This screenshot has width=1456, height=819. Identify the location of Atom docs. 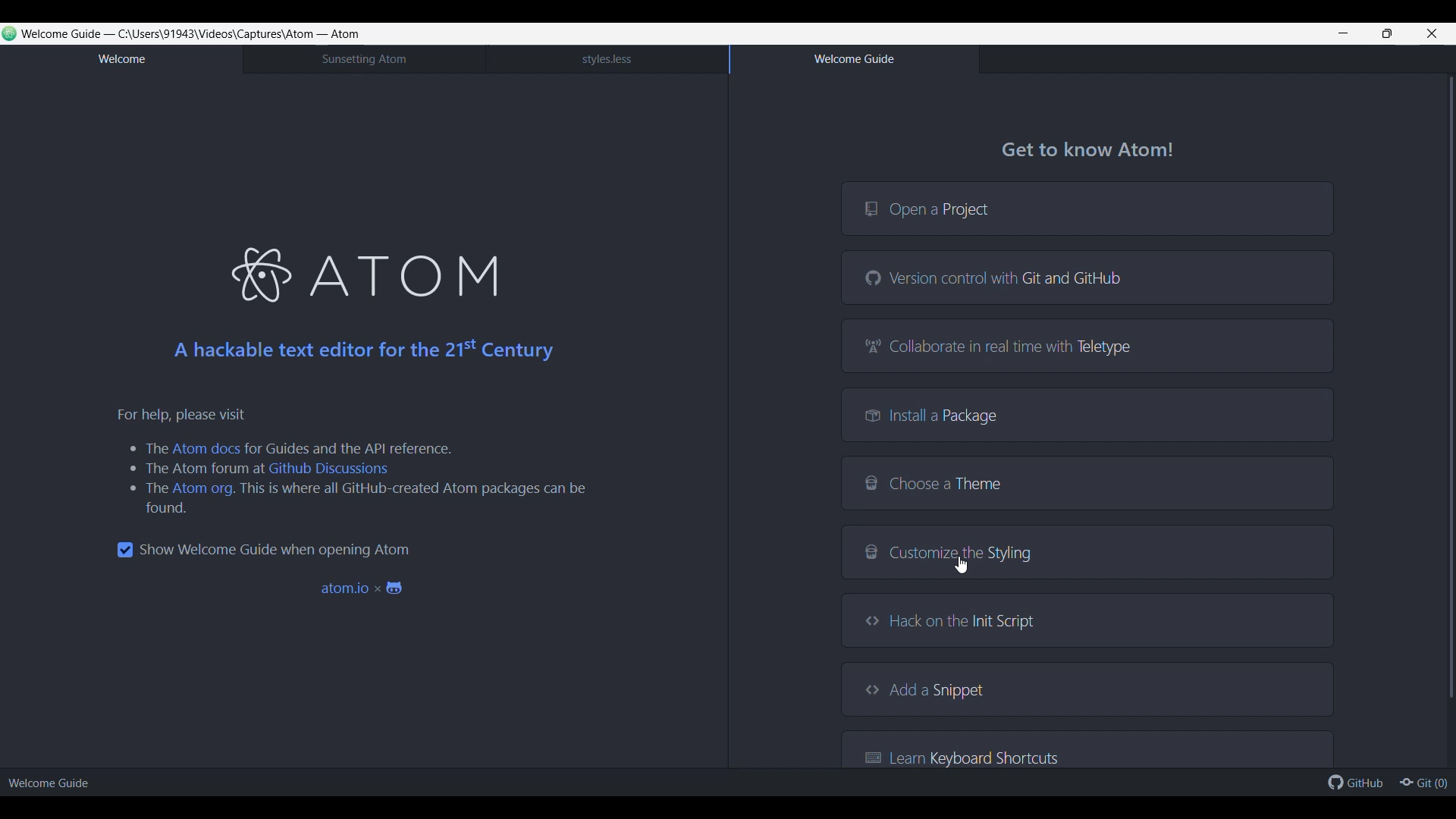
(207, 448).